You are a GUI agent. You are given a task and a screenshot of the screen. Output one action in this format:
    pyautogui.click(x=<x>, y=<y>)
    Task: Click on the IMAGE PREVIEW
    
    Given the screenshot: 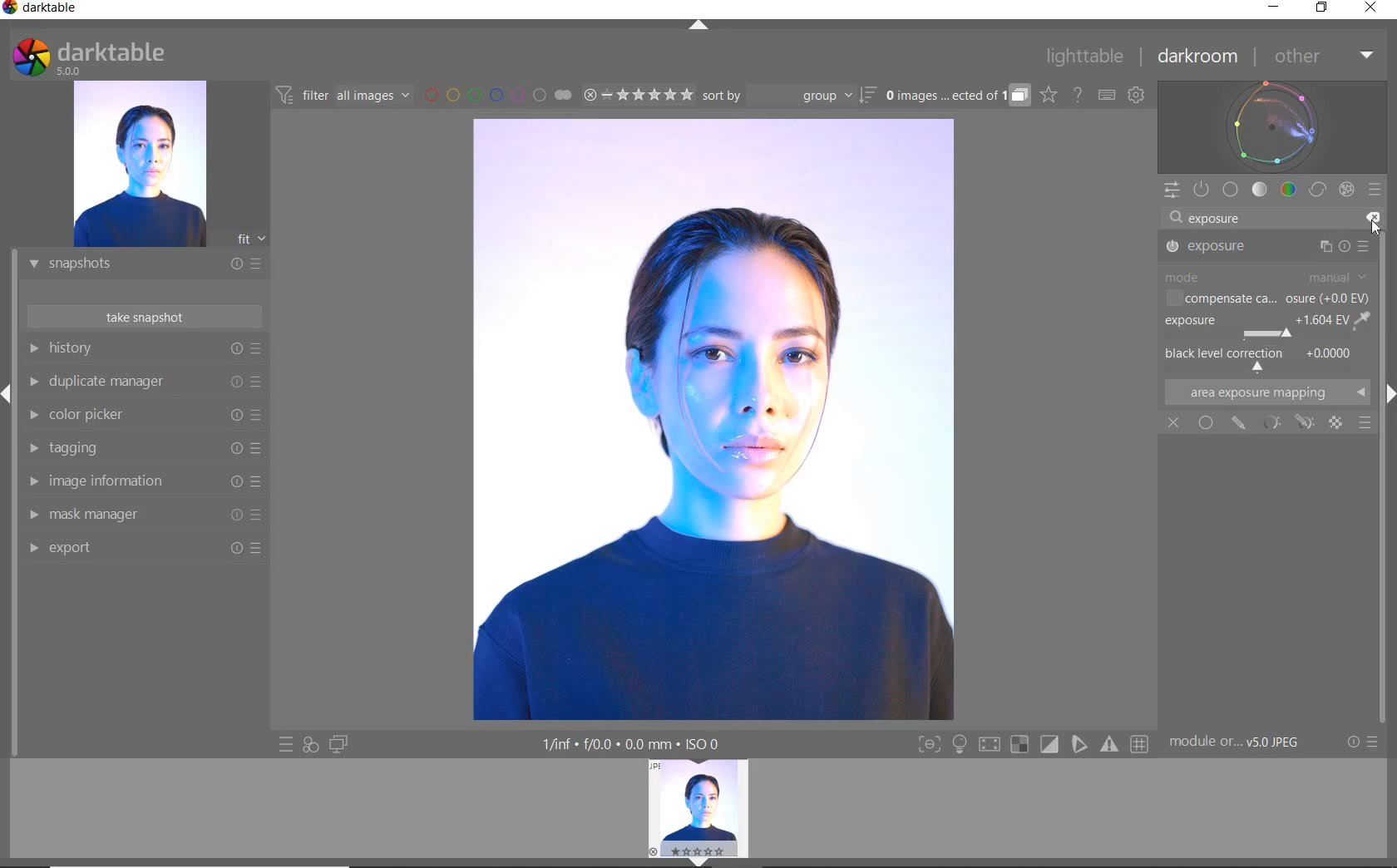 What is the action you would take?
    pyautogui.click(x=698, y=806)
    